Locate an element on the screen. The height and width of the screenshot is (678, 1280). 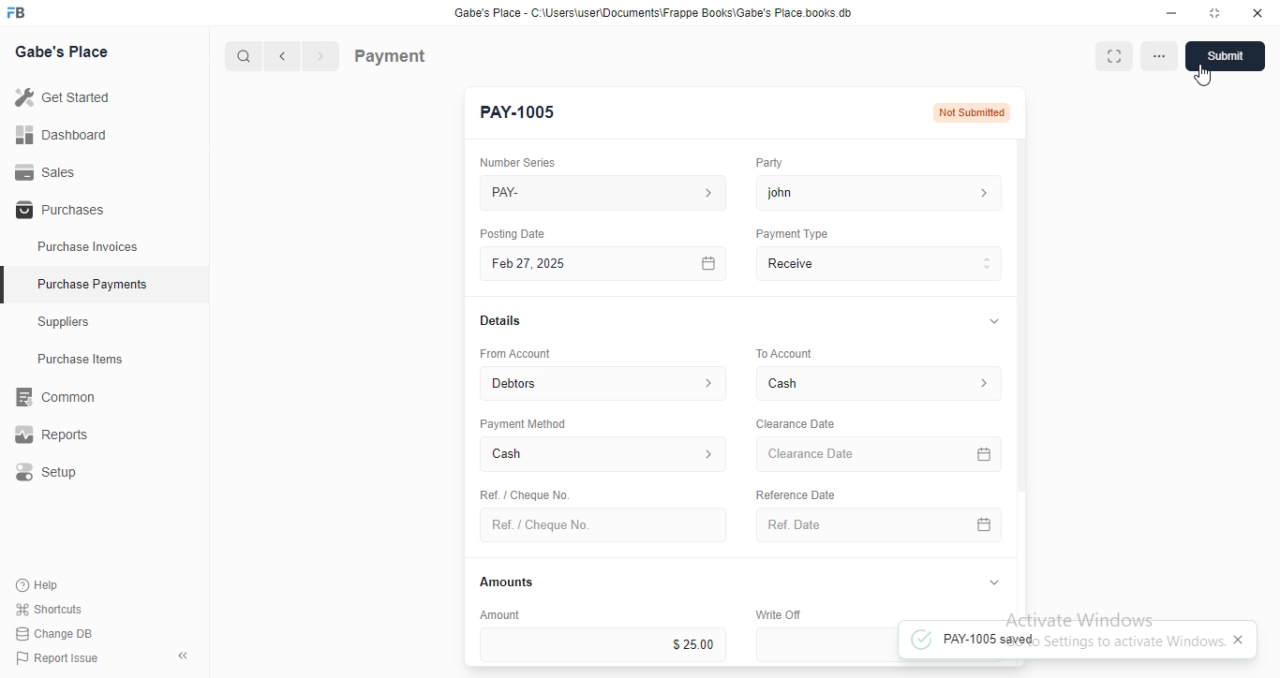
navigate backward is located at coordinates (286, 58).